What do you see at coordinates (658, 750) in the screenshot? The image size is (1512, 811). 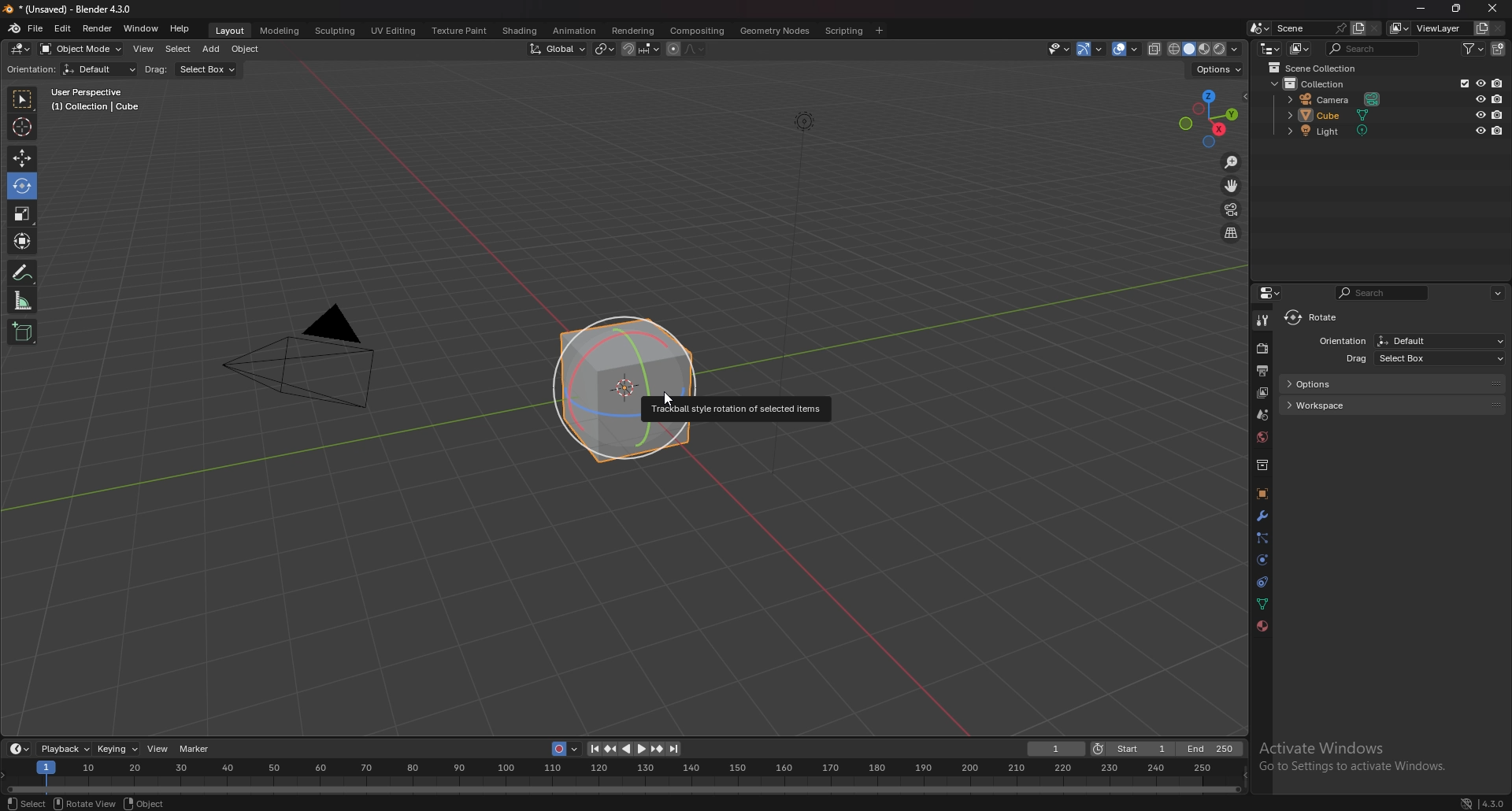 I see `jump to key frame` at bounding box center [658, 750].